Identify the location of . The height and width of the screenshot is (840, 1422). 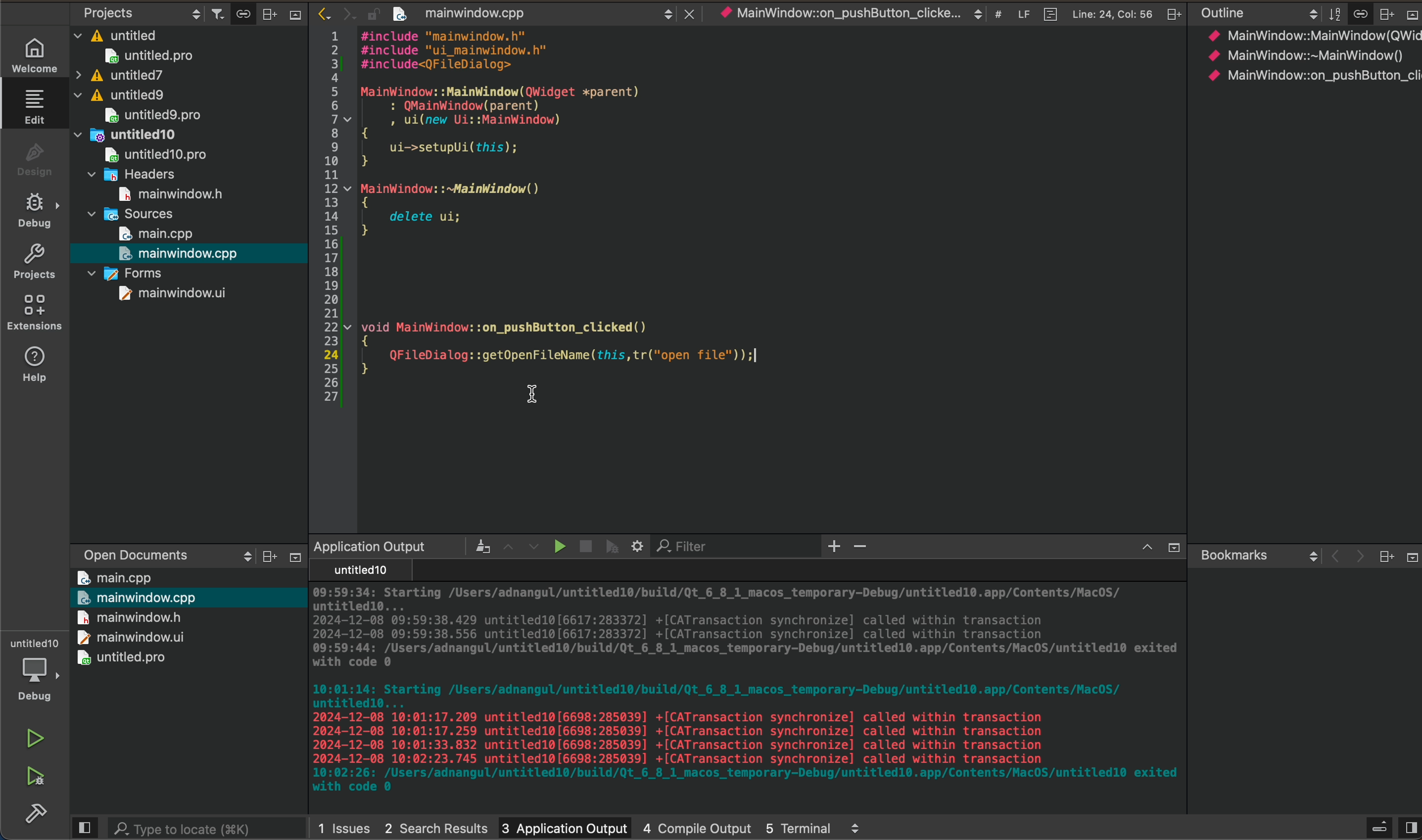
(1410, 15).